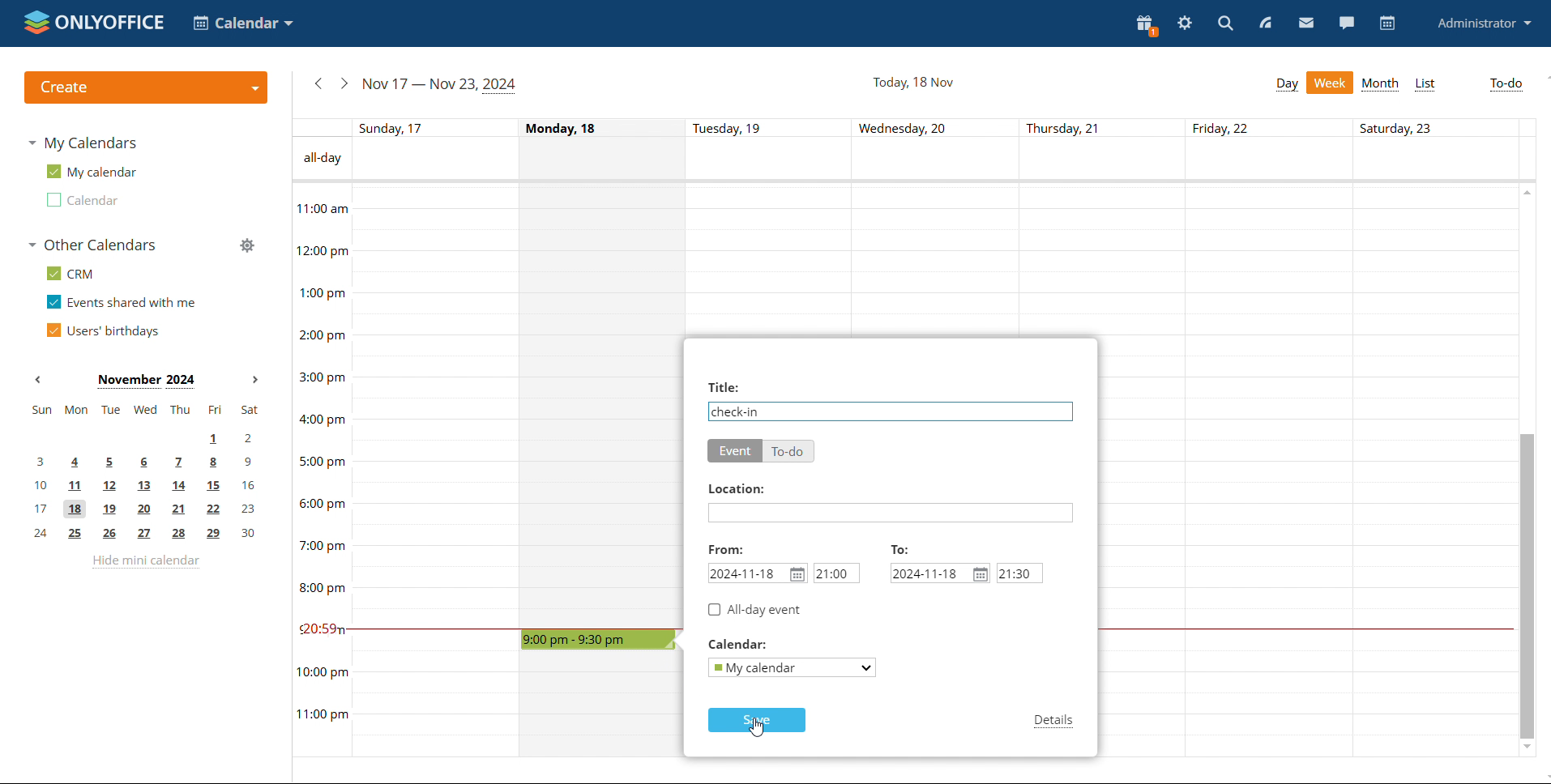 Image resolution: width=1551 pixels, height=784 pixels. What do you see at coordinates (1526, 748) in the screenshot?
I see `scroll down` at bounding box center [1526, 748].